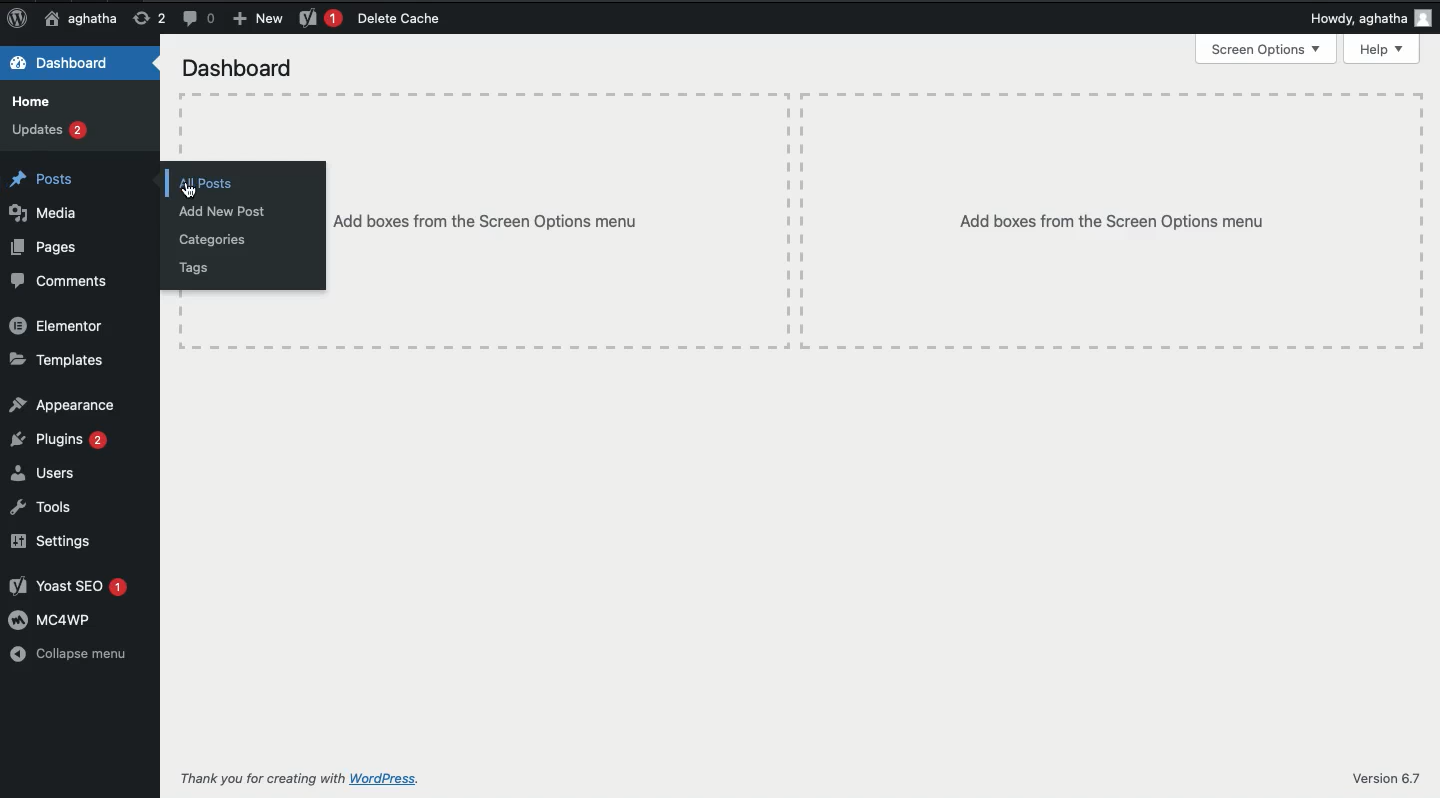 The width and height of the screenshot is (1440, 798). What do you see at coordinates (56, 359) in the screenshot?
I see `Templates` at bounding box center [56, 359].